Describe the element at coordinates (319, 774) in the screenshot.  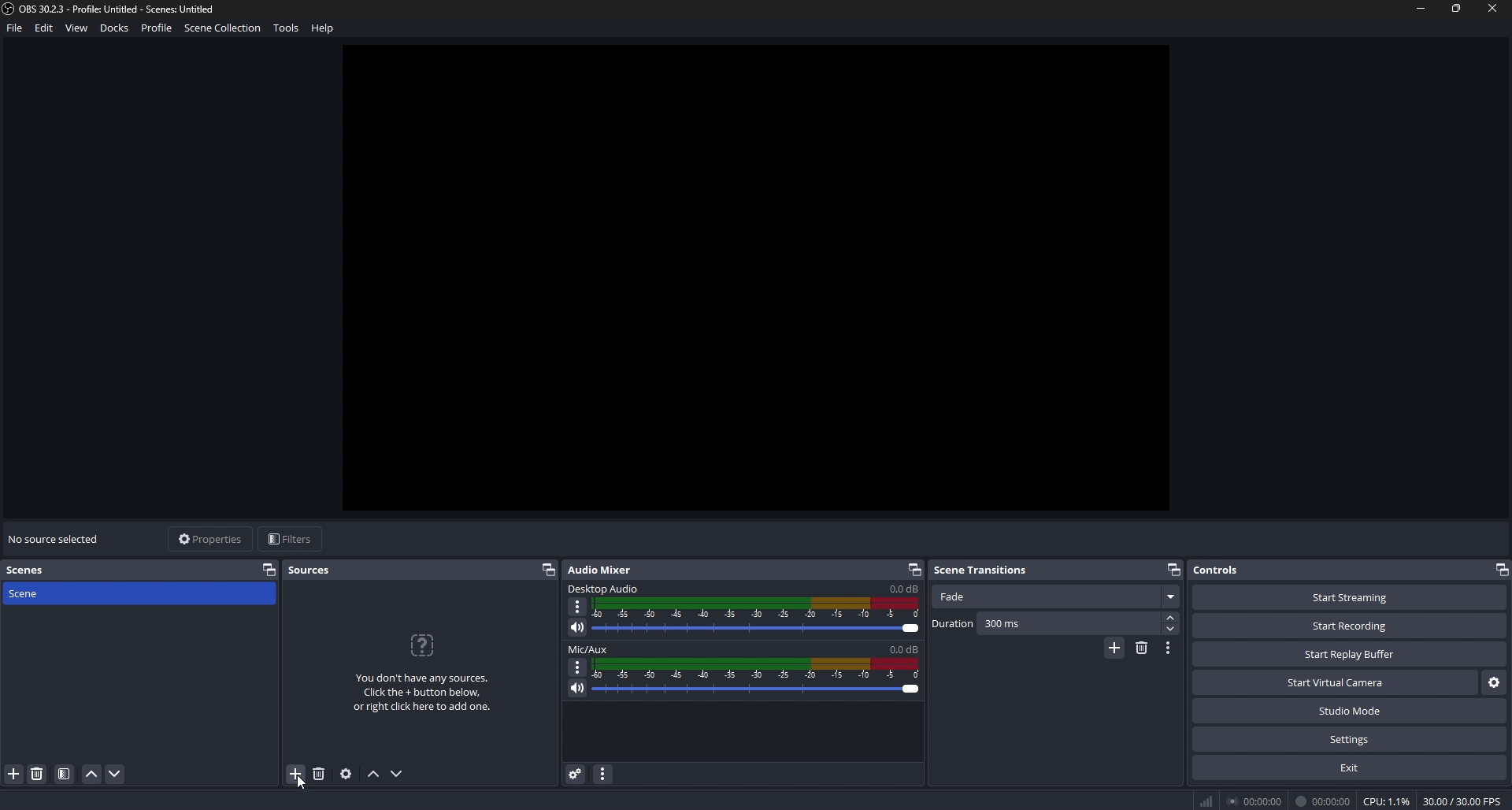
I see `remove source` at that location.